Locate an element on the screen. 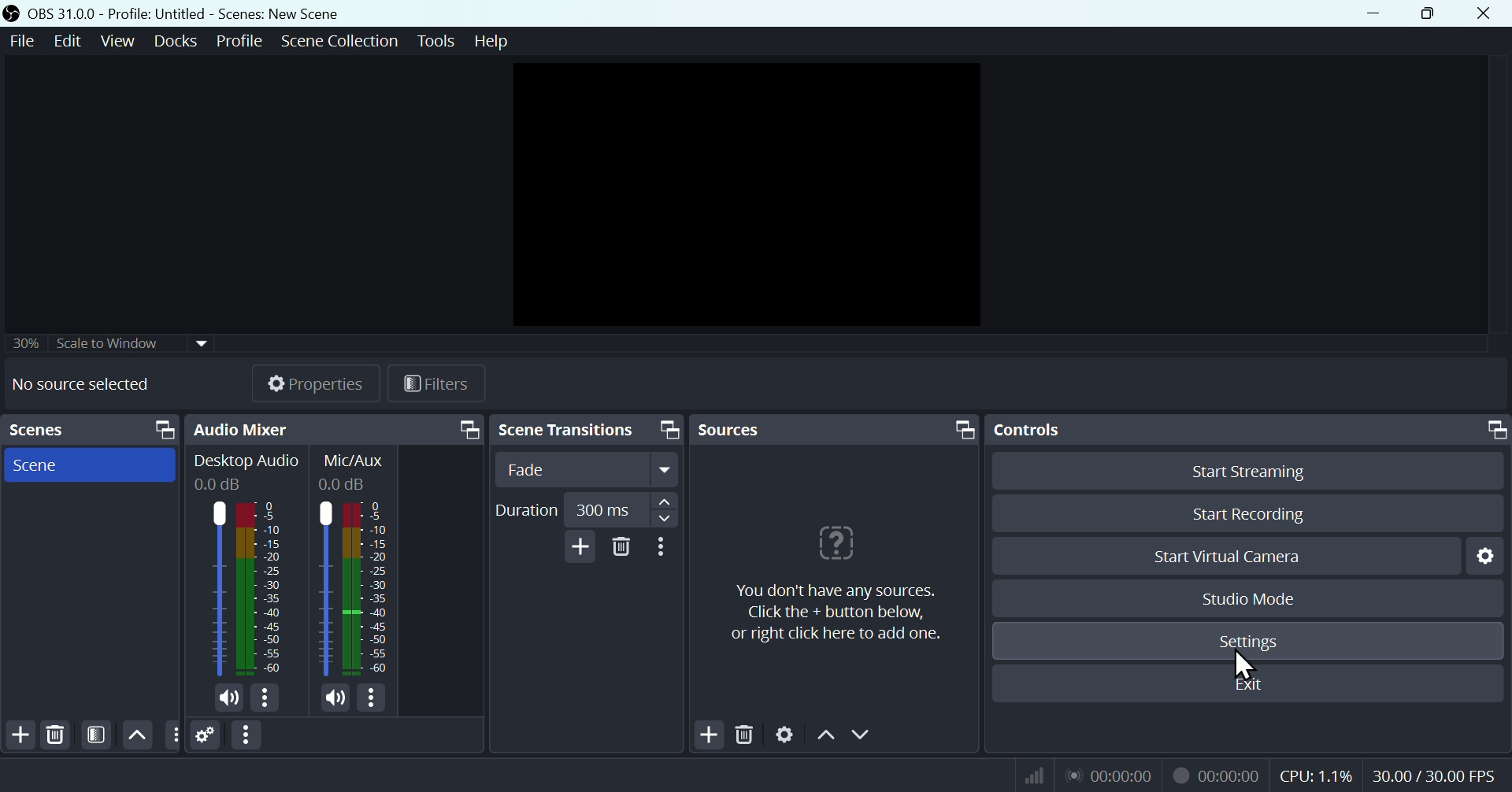 Image resolution: width=1512 pixels, height=792 pixels. Tools is located at coordinates (435, 43).